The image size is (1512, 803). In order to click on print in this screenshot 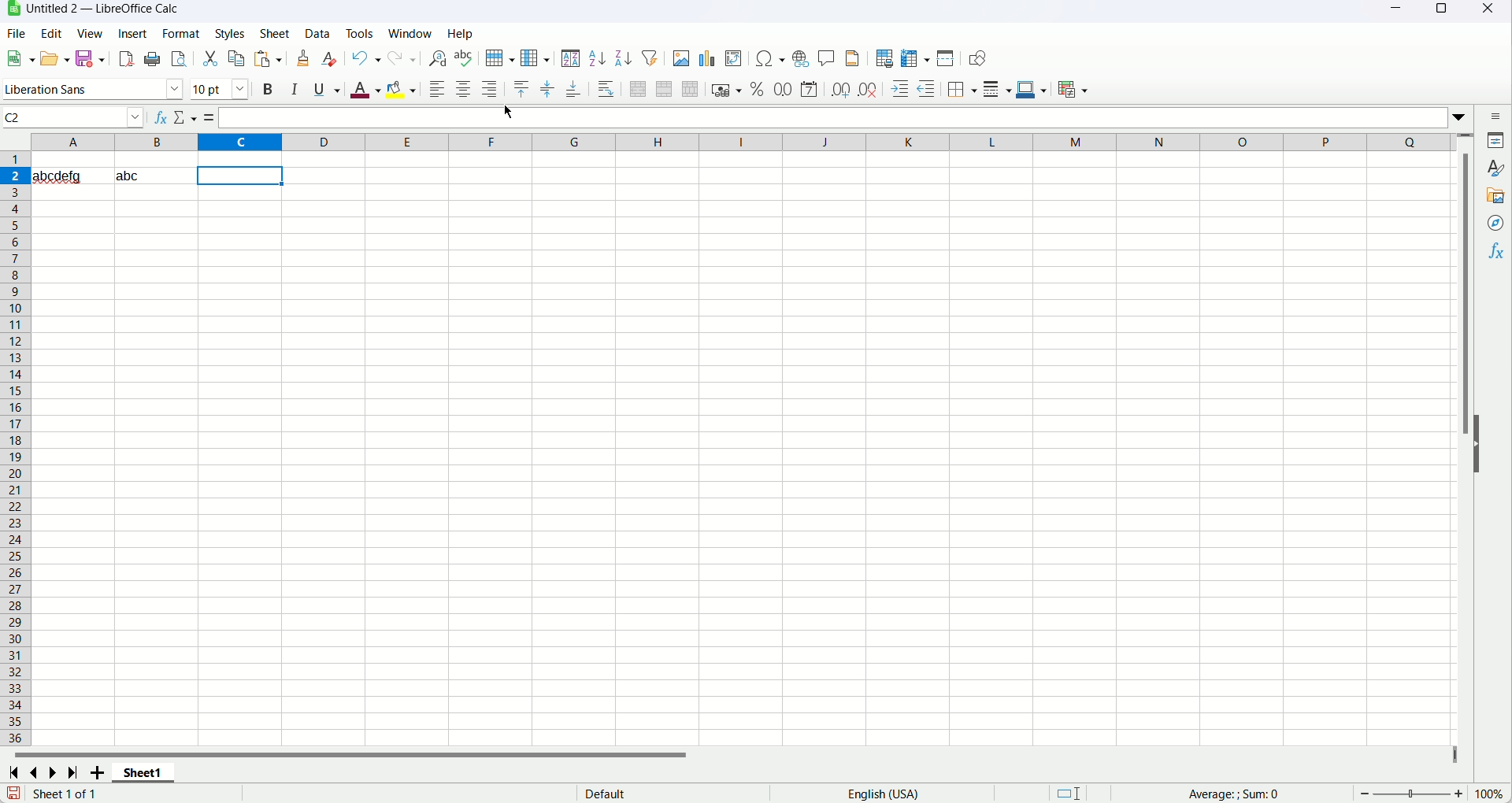, I will do `click(151, 59)`.